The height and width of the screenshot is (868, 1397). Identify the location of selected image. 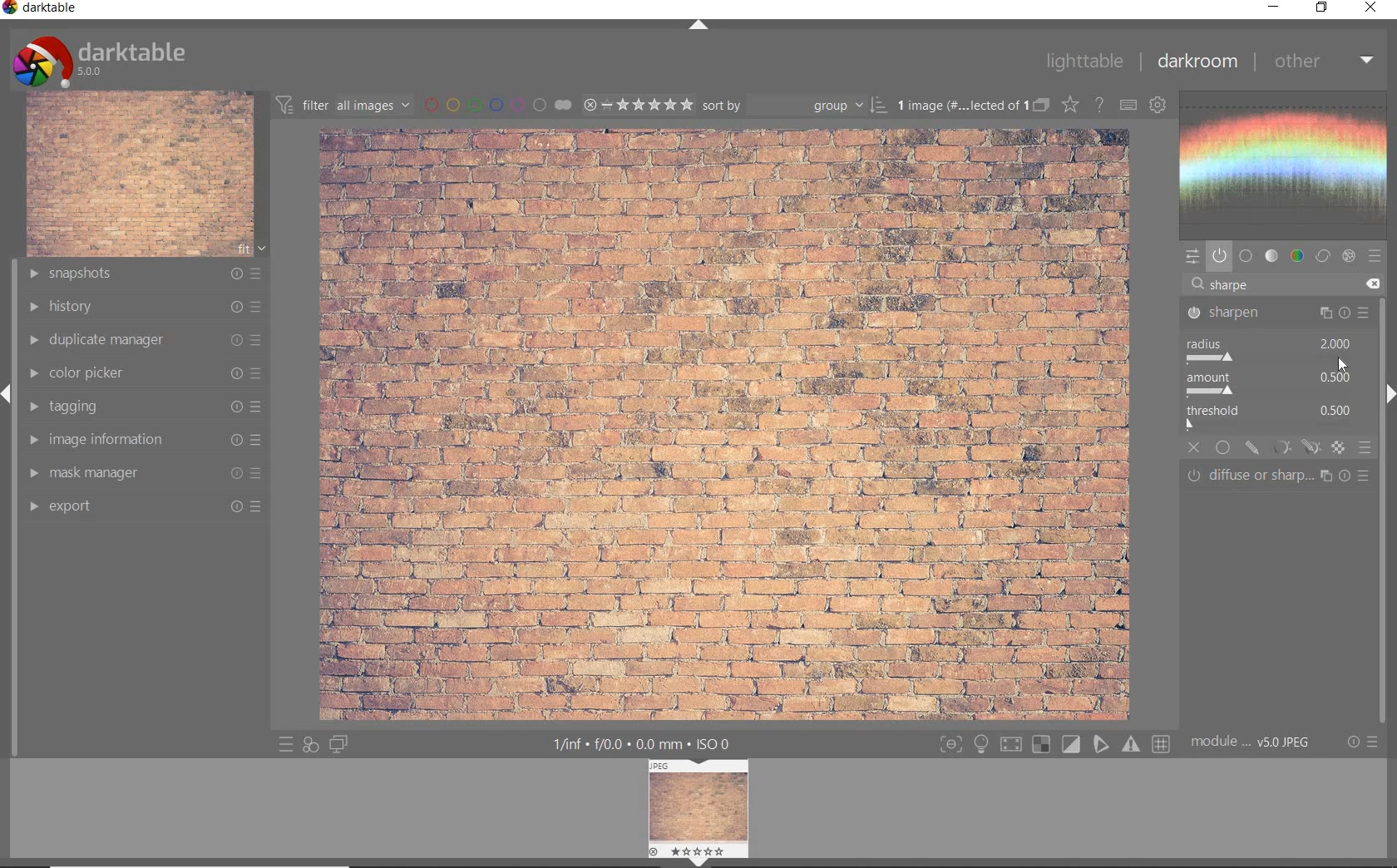
(719, 424).